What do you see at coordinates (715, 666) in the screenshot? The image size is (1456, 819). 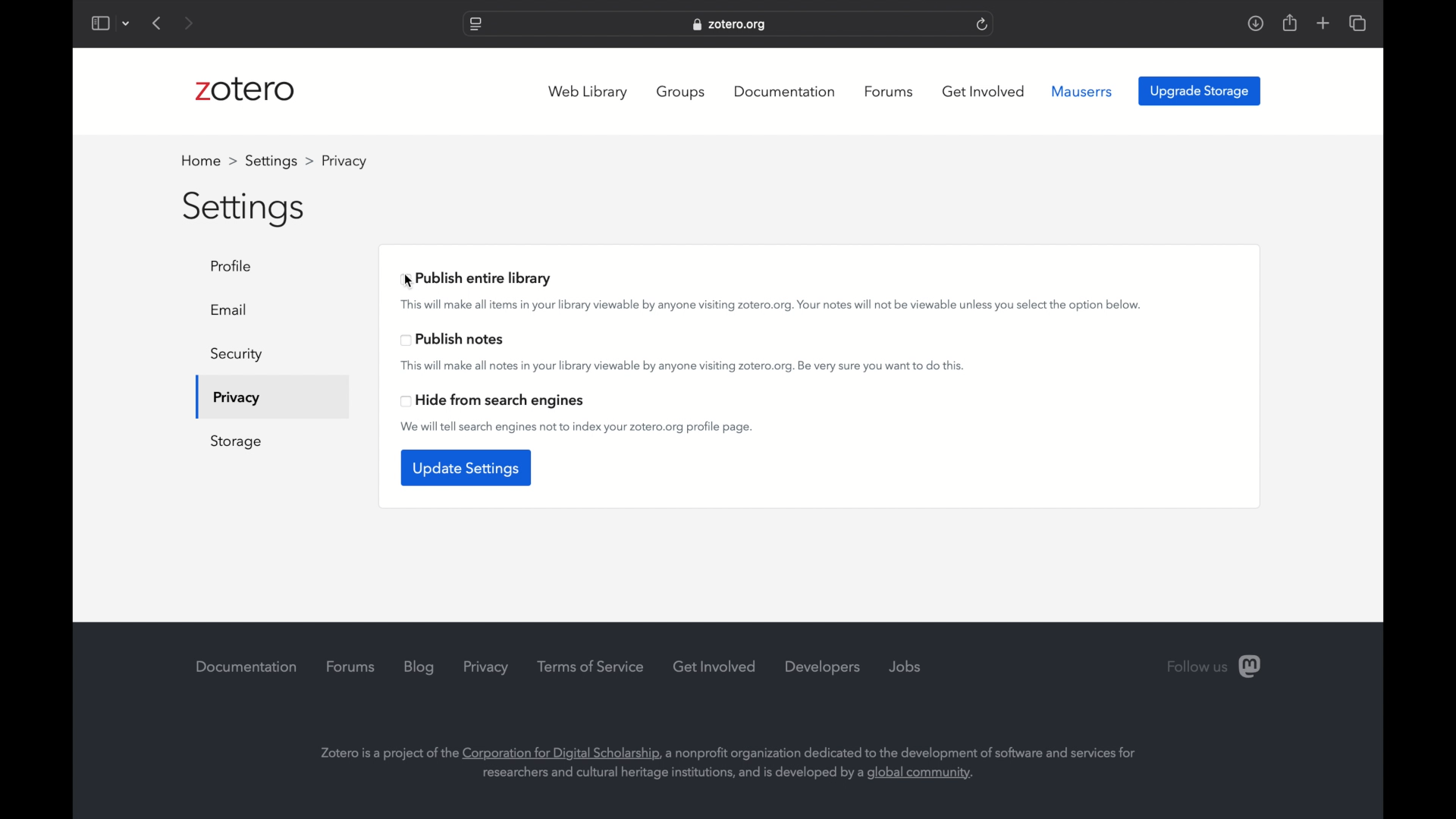 I see `get involved` at bounding box center [715, 666].